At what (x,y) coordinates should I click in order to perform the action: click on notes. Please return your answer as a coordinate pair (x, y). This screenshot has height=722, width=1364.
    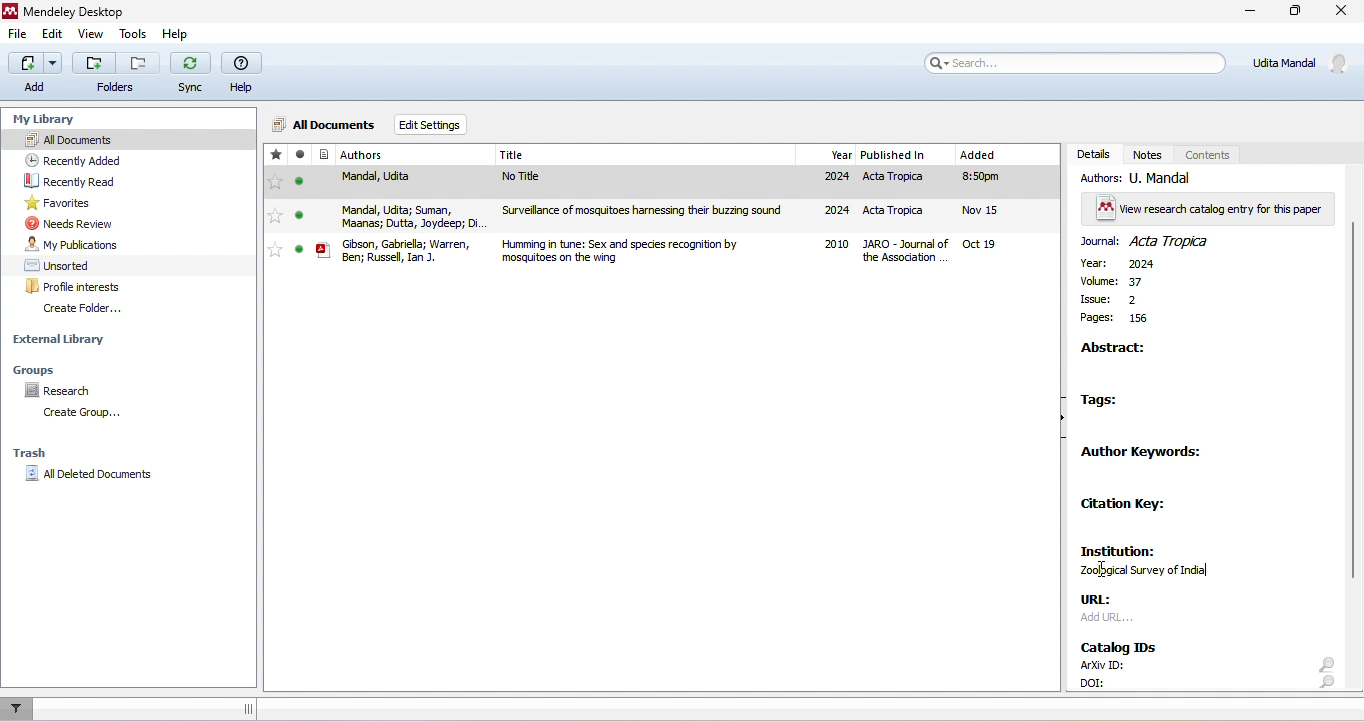
    Looking at the image, I should click on (1150, 154).